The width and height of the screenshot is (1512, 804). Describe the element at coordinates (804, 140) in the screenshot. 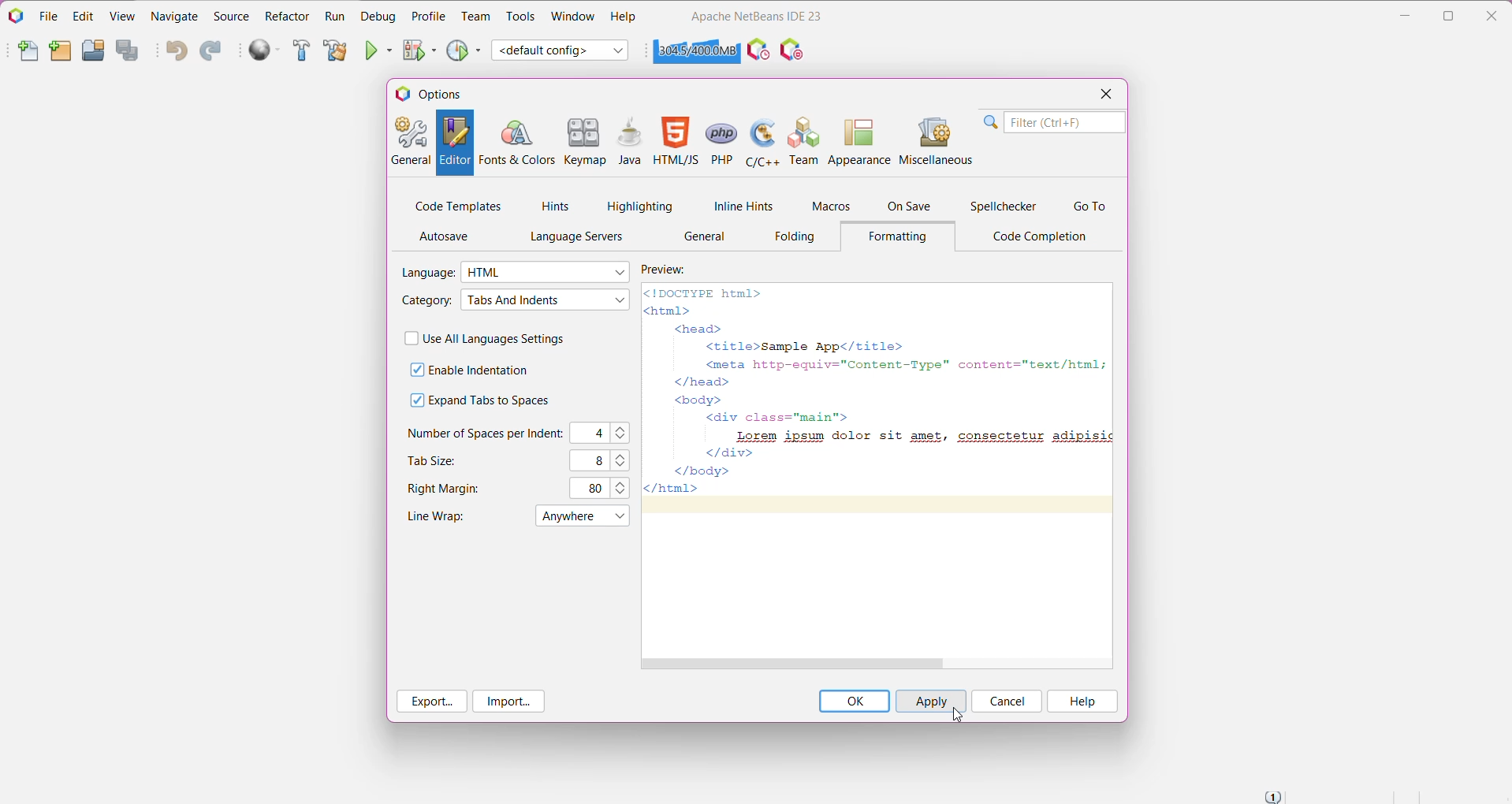

I see `Team` at that location.